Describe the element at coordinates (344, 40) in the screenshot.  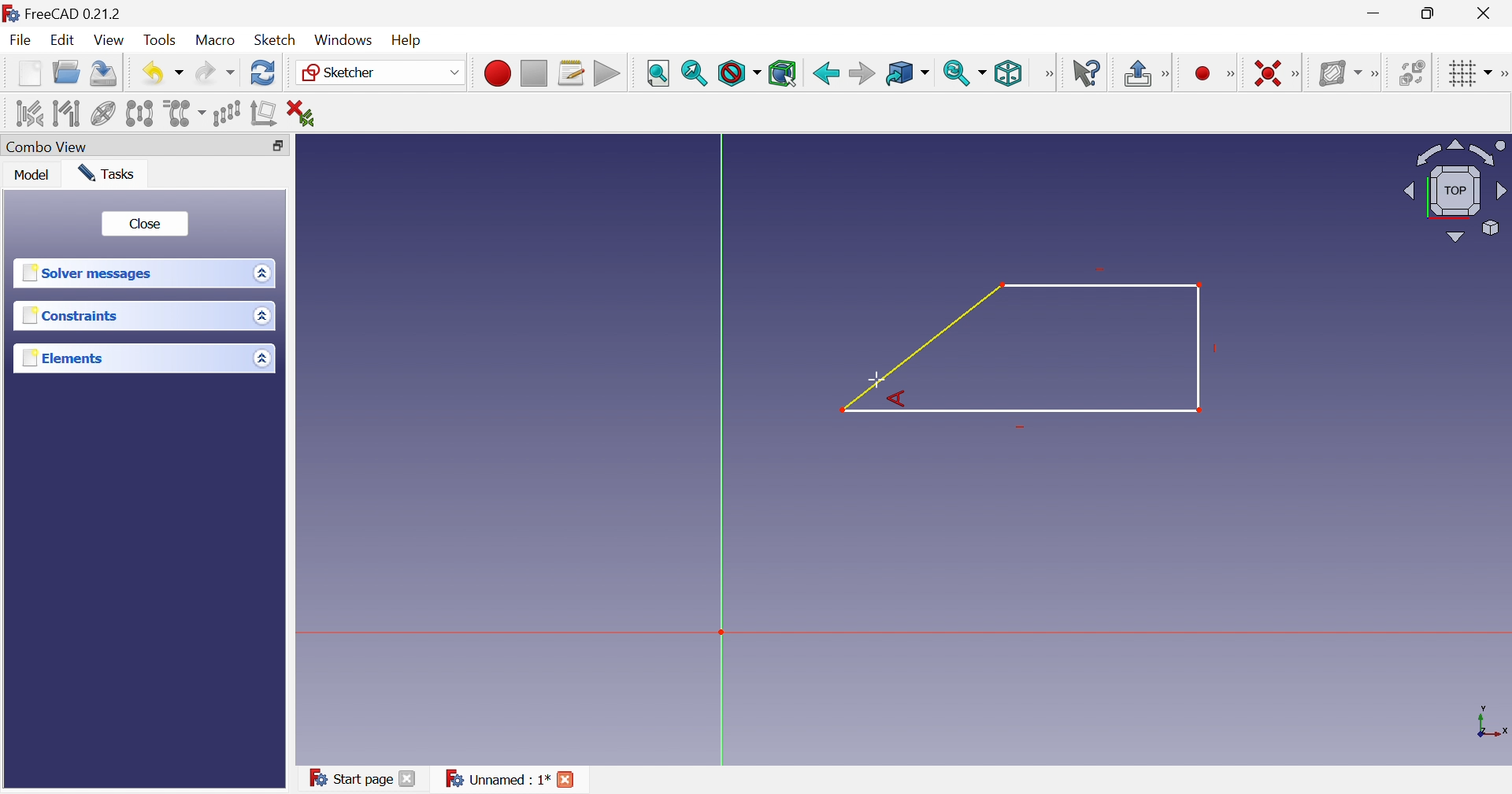
I see `Windows` at that location.